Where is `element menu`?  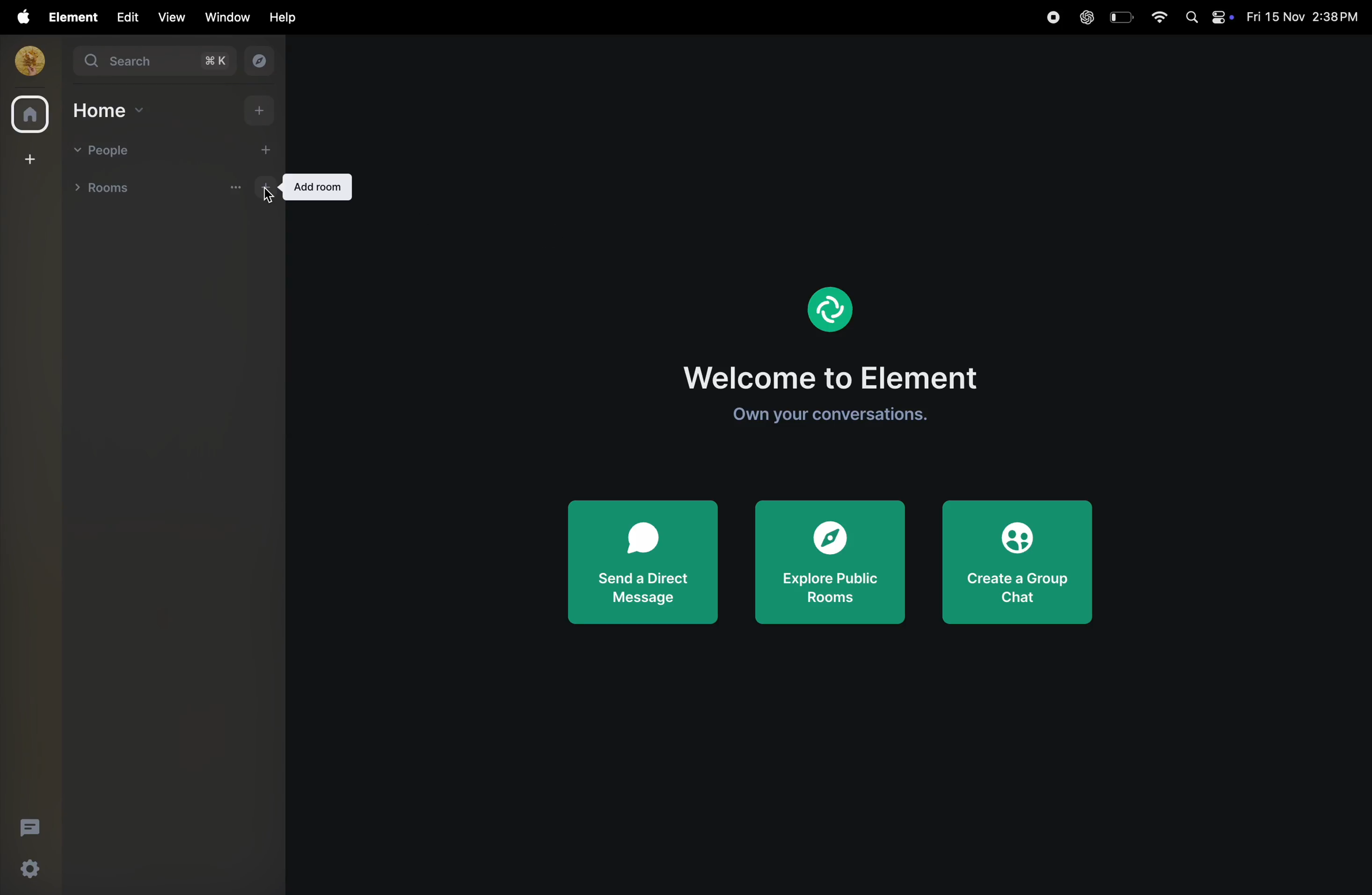 element menu is located at coordinates (70, 16).